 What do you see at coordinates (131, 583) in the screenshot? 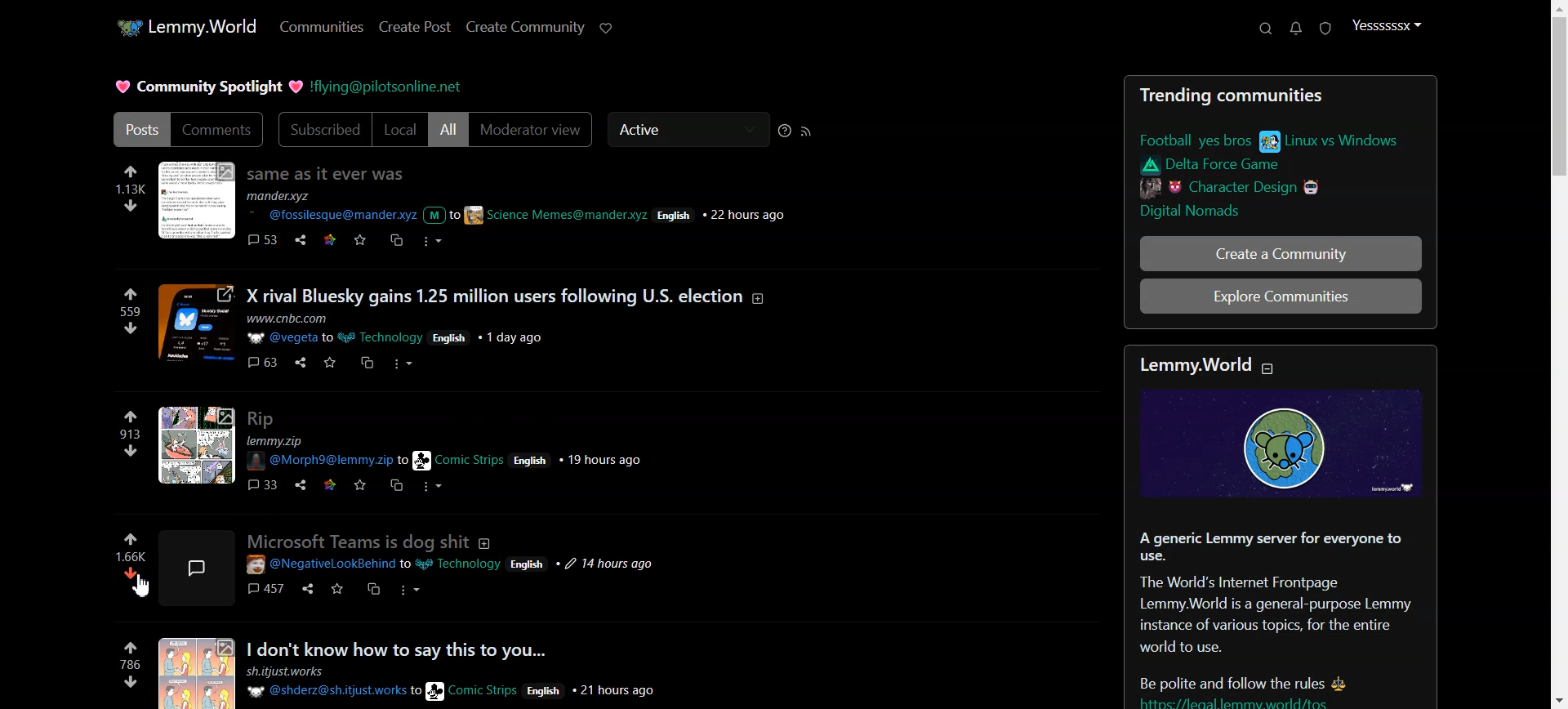
I see `Down vote` at bounding box center [131, 583].